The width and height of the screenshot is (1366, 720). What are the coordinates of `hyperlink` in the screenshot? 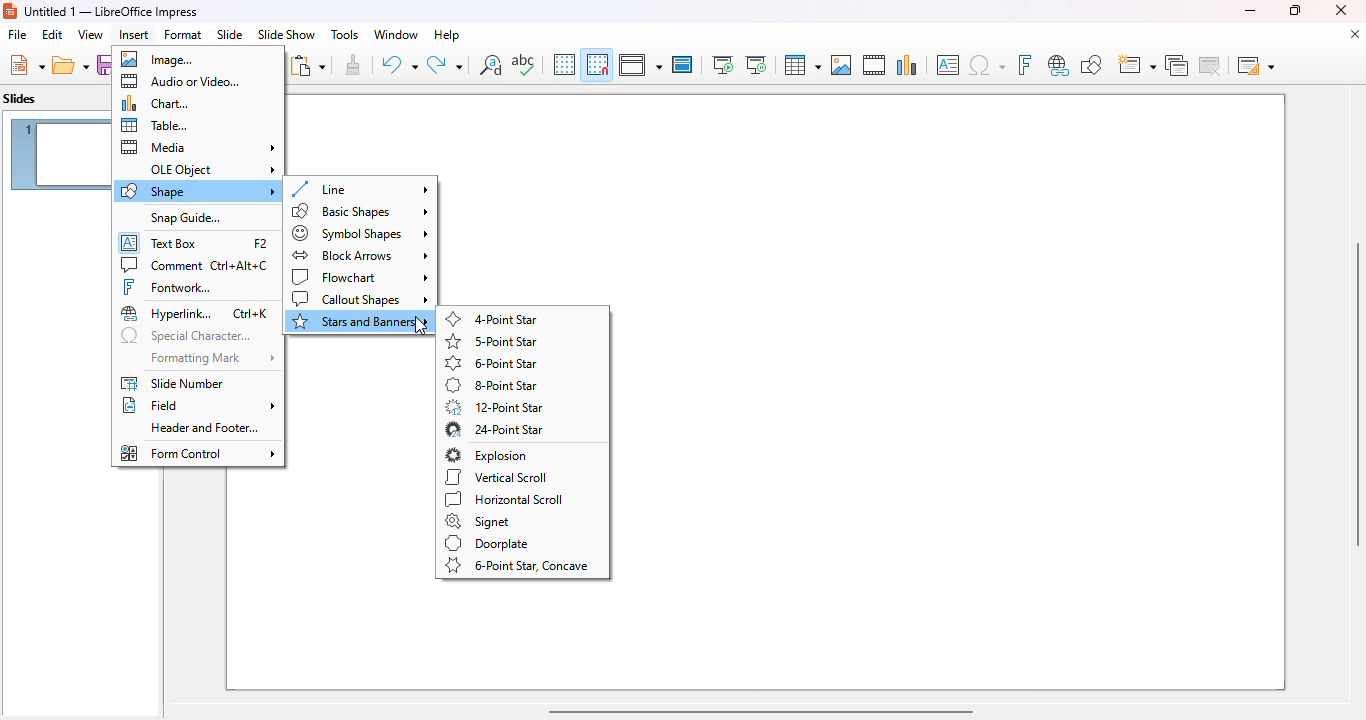 It's located at (195, 314).